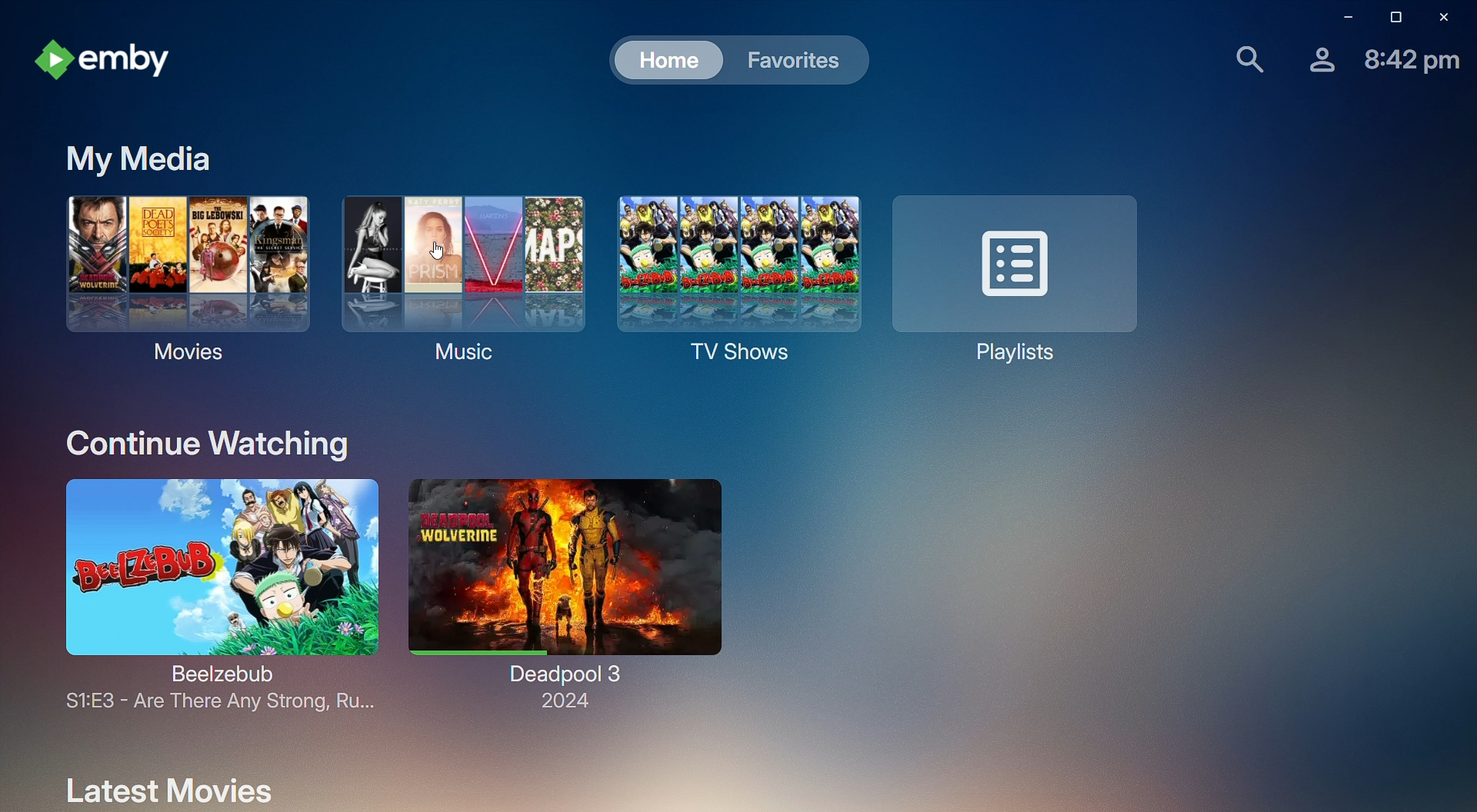 The height and width of the screenshot is (812, 1477). I want to click on Restore, so click(1390, 16).